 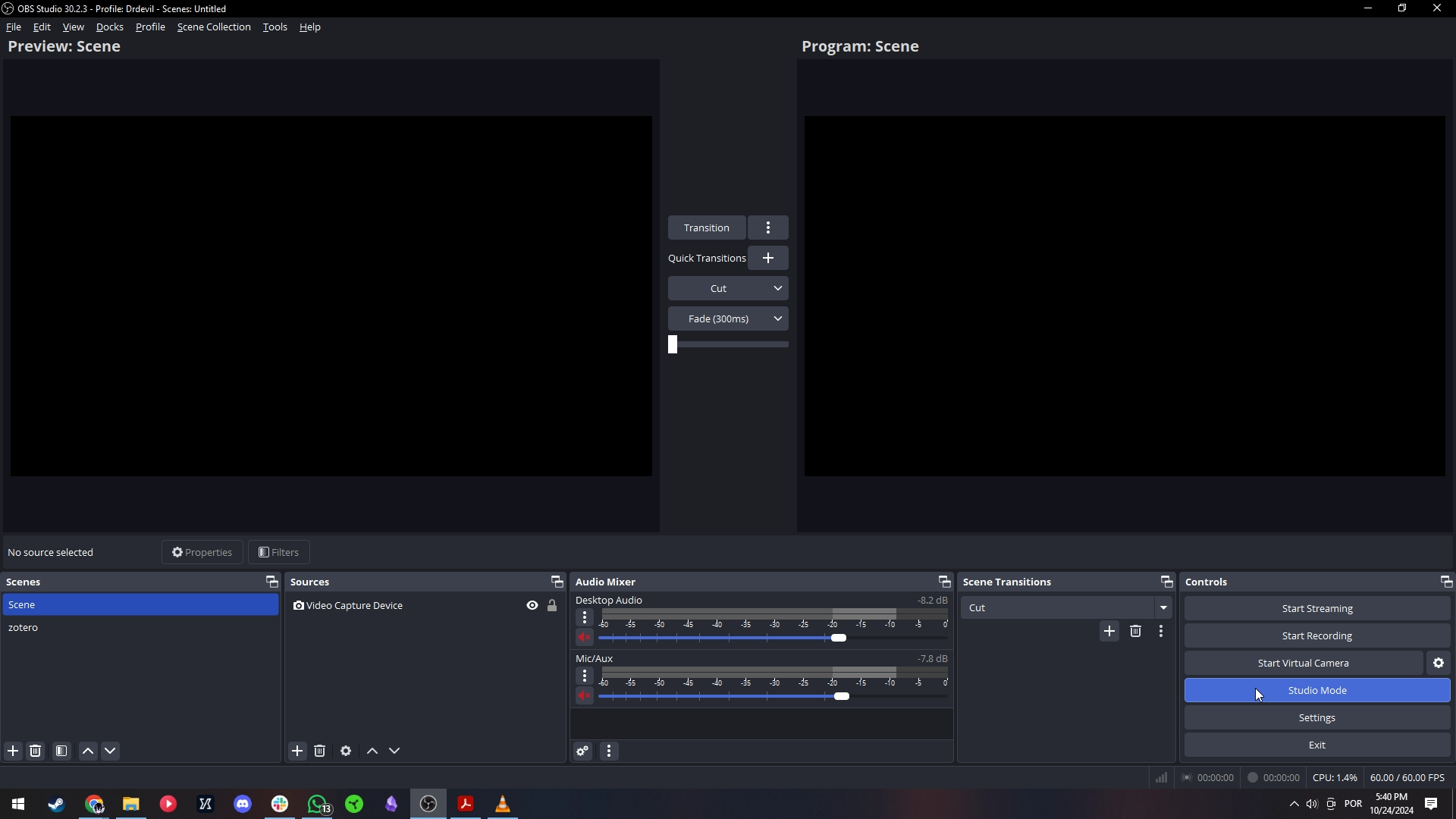 What do you see at coordinates (143, 604) in the screenshot?
I see `Scene` at bounding box center [143, 604].